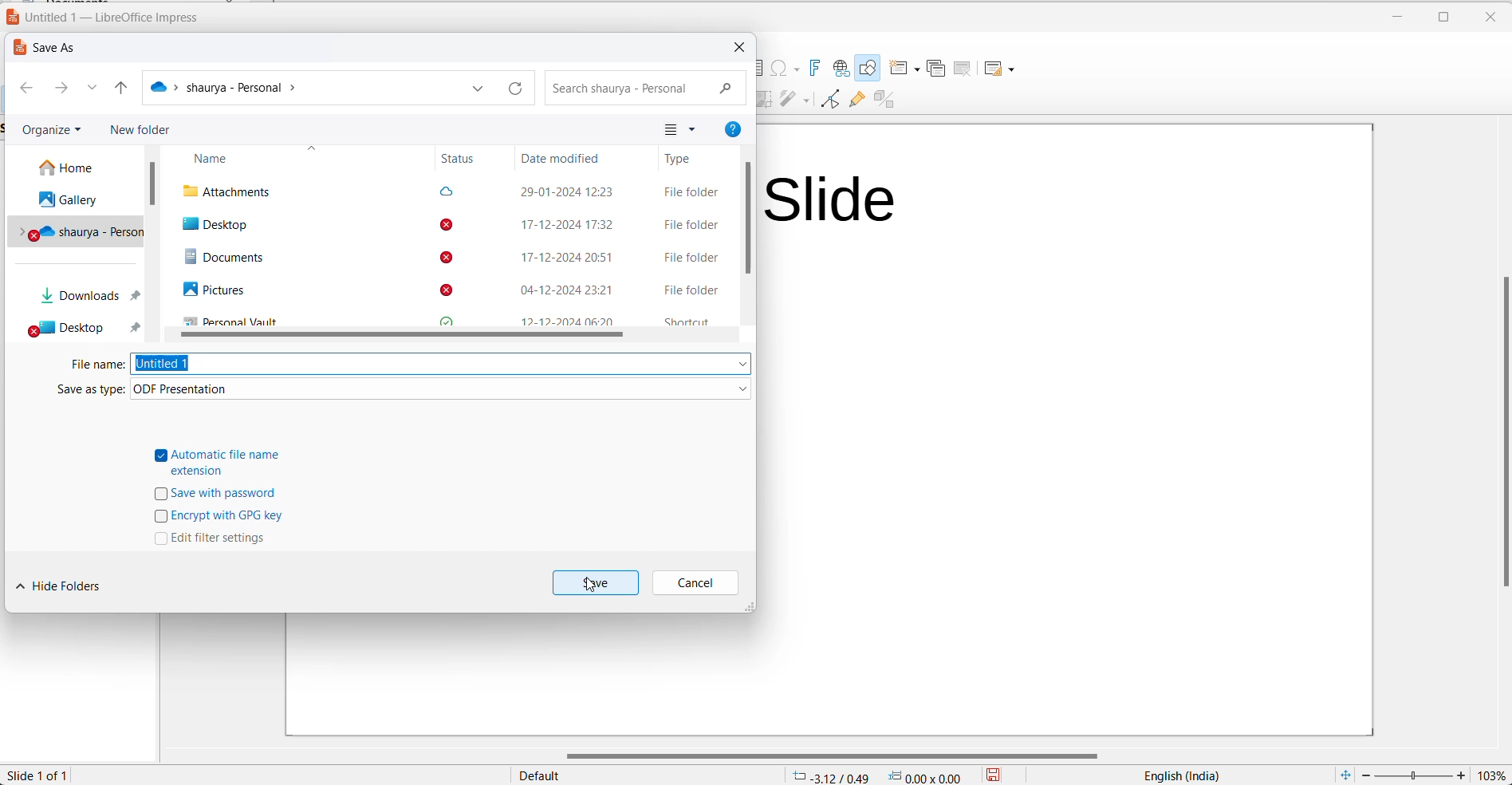  Describe the element at coordinates (217, 542) in the screenshot. I see `EDIT FILTER SETTING` at that location.